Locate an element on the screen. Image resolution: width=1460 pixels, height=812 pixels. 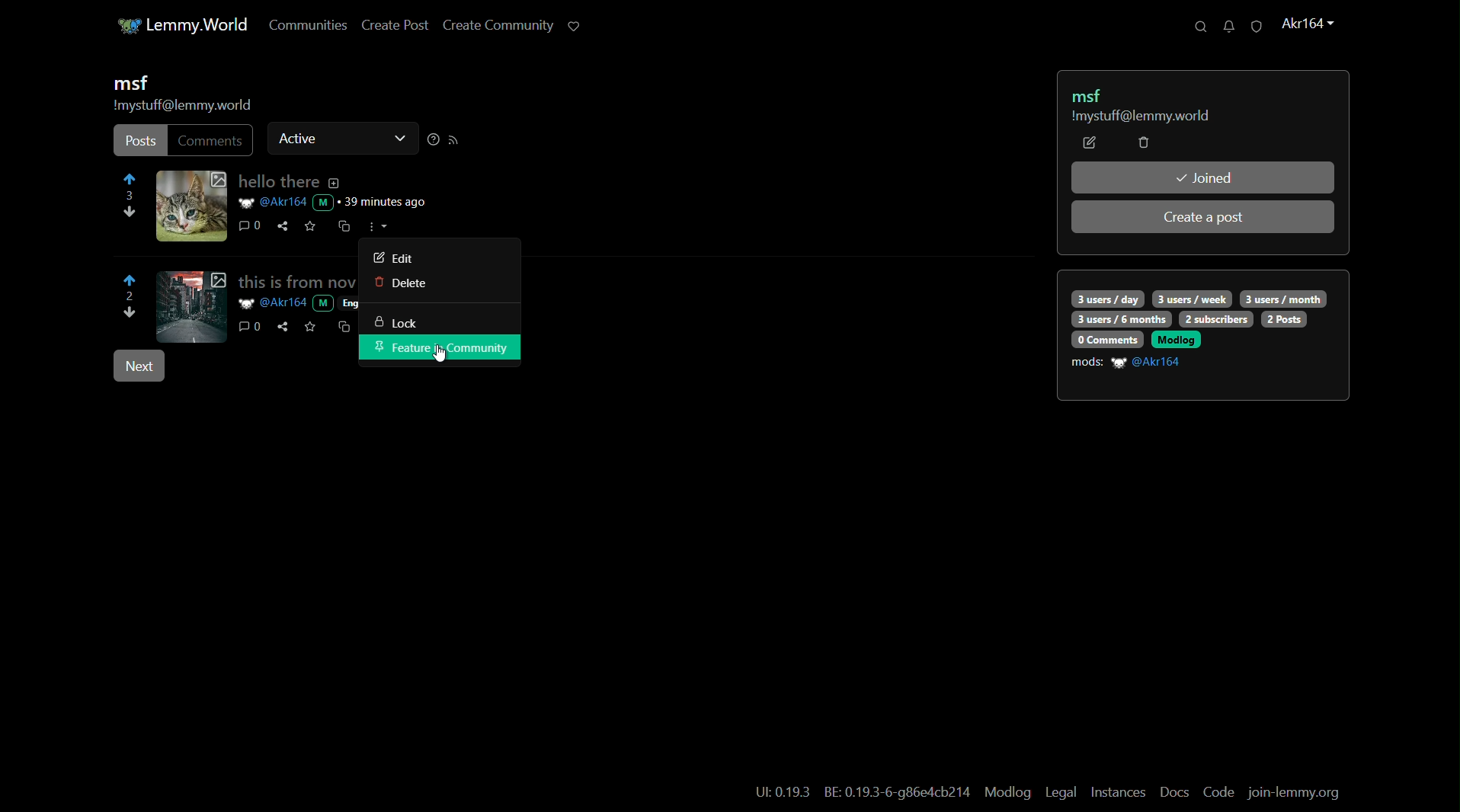
create post is located at coordinates (389, 27).